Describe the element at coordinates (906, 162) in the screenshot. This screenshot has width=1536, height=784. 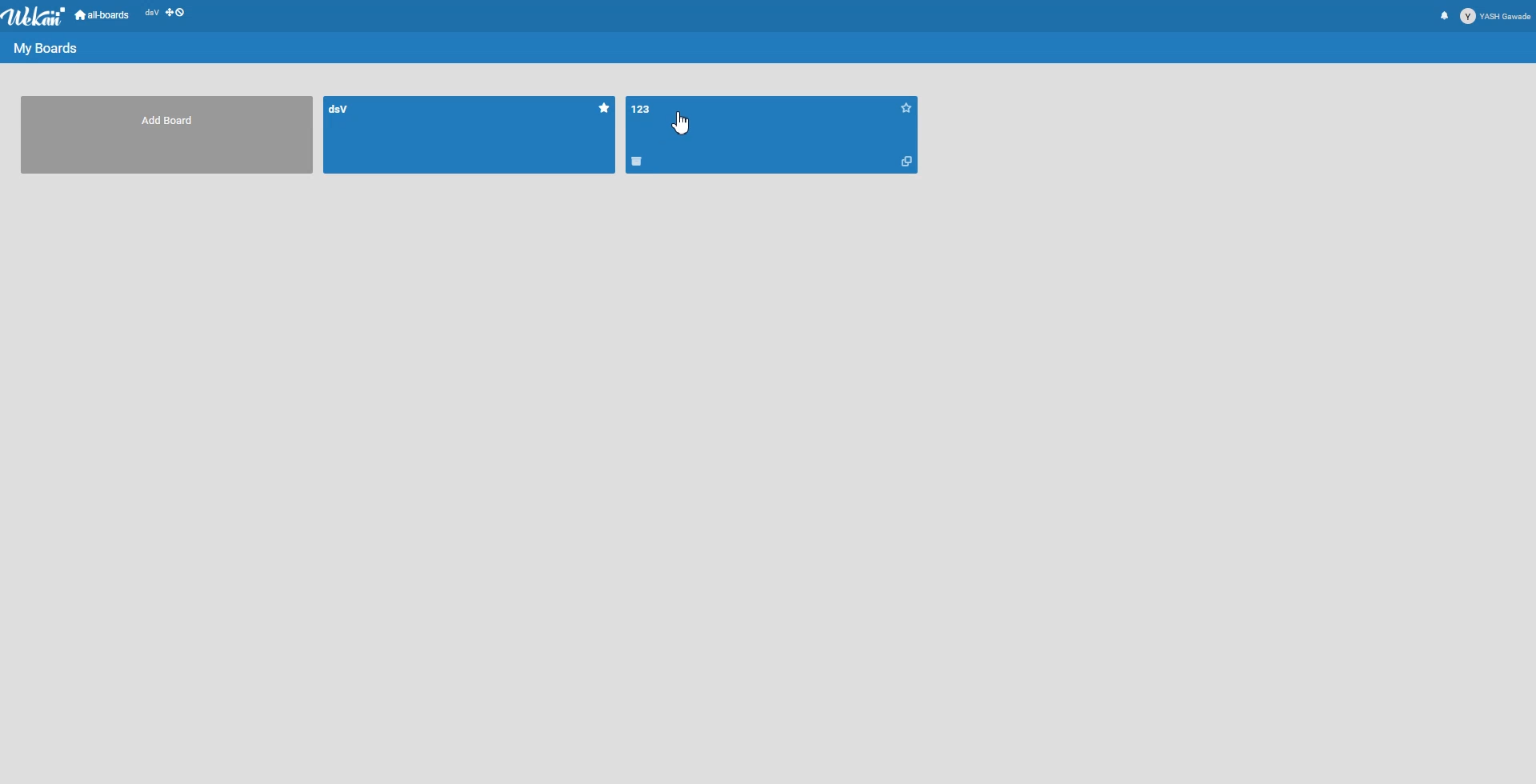
I see `Copy` at that location.